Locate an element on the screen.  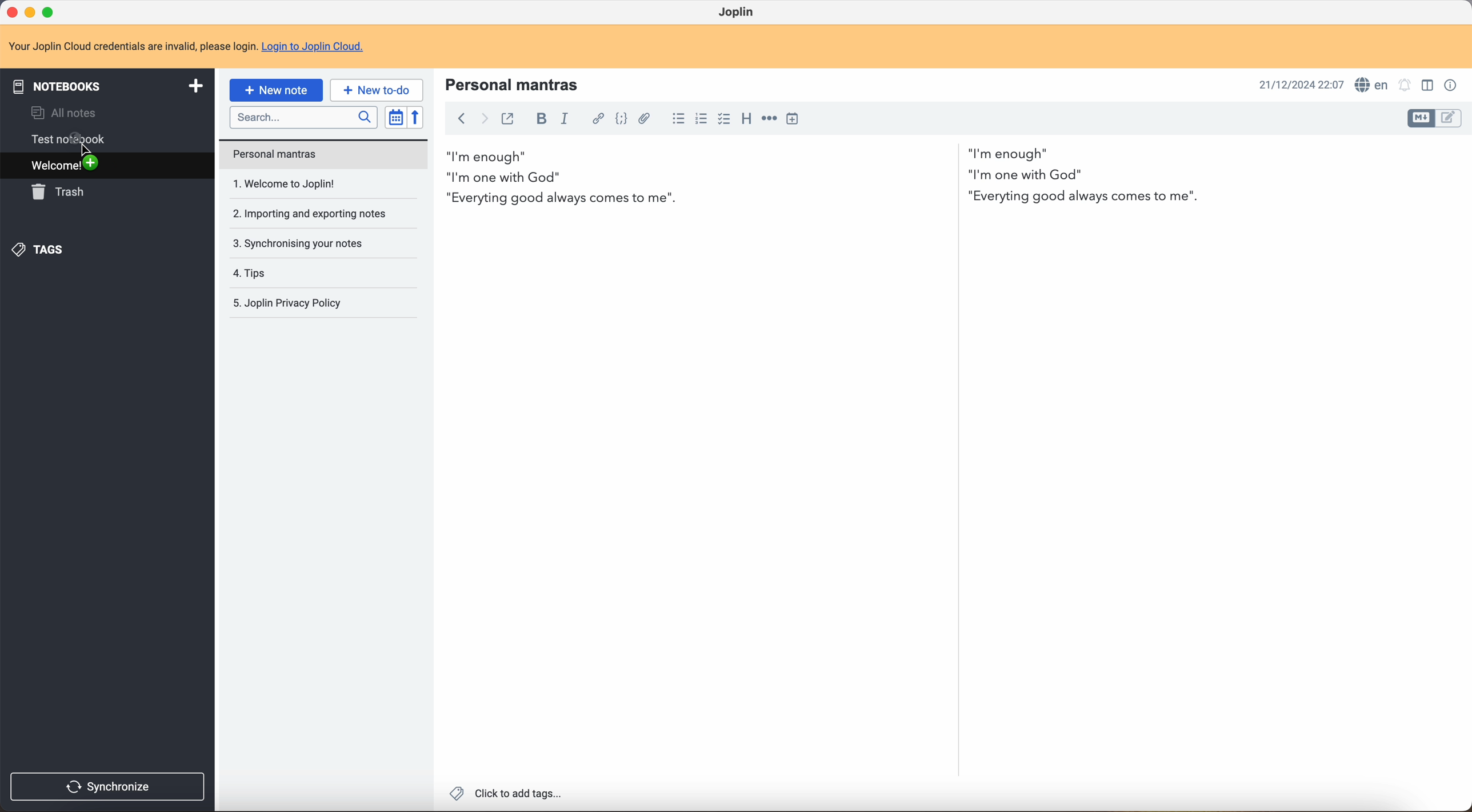
checkbox is located at coordinates (725, 119).